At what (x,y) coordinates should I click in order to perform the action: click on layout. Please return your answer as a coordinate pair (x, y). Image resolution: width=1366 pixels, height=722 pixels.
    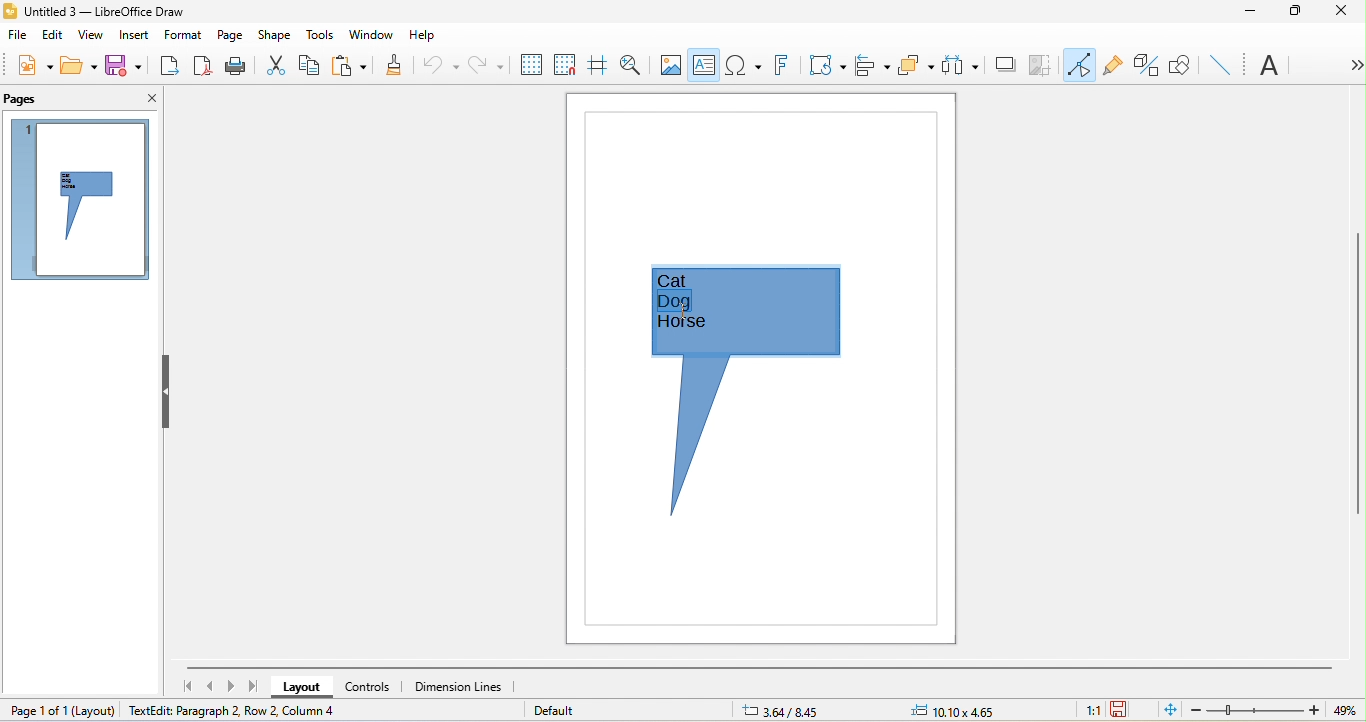
    Looking at the image, I should click on (97, 708).